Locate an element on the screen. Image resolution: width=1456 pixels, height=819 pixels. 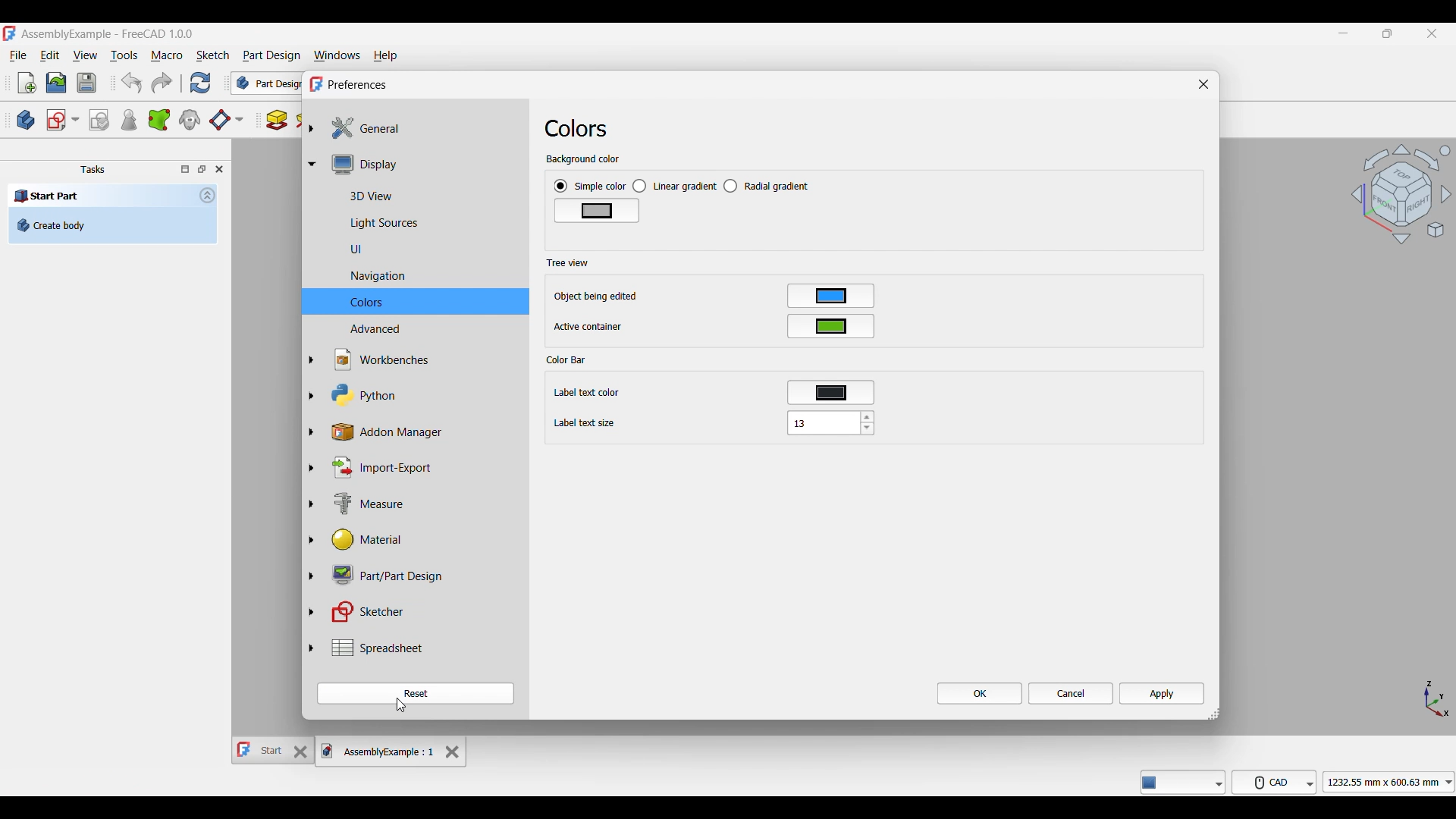
Collapse is located at coordinates (208, 195).